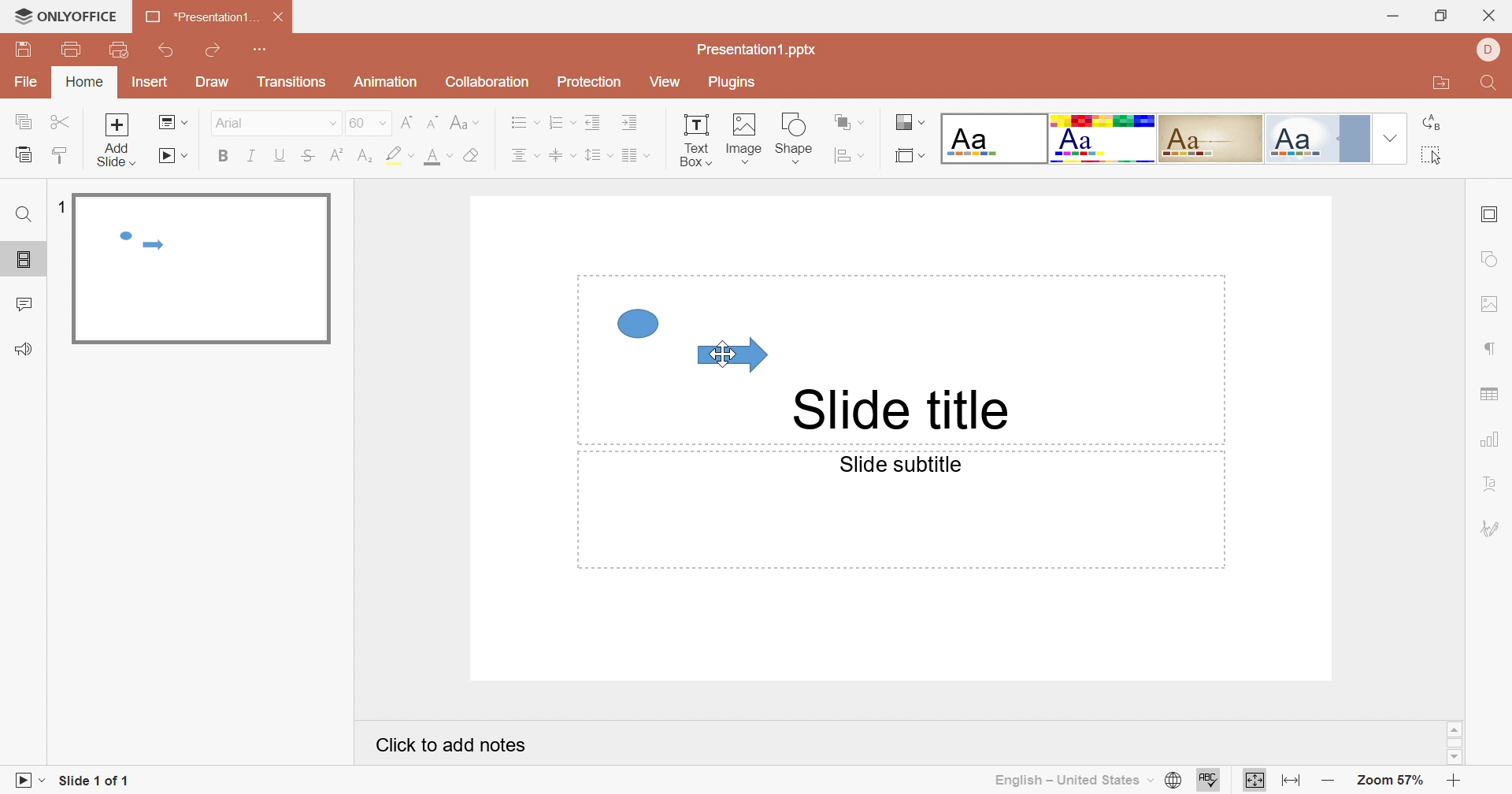 The height and width of the screenshot is (794, 1512). I want to click on 1, so click(60, 203).